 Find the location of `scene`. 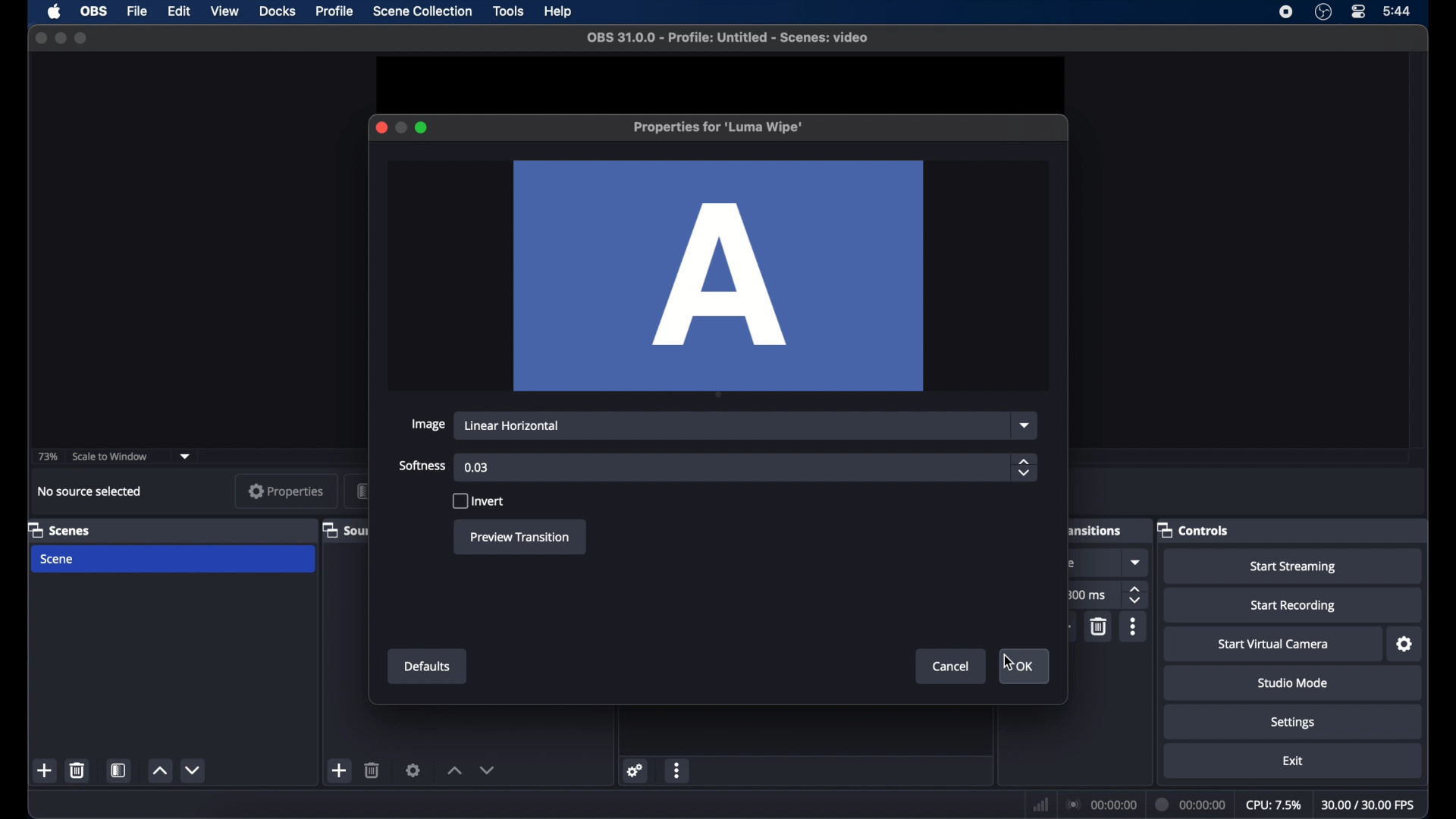

scene is located at coordinates (58, 560).